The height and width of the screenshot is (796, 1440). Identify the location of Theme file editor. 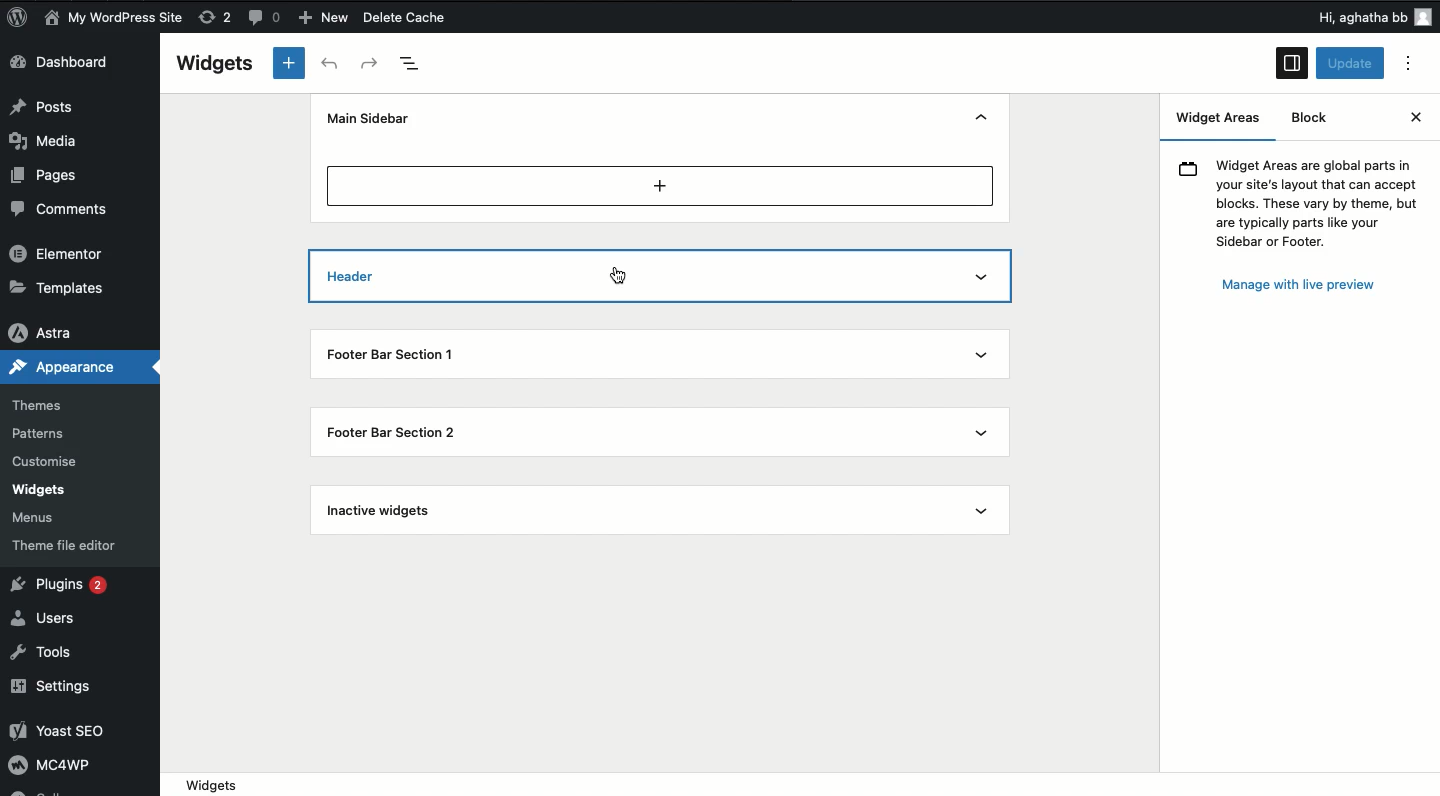
(65, 541).